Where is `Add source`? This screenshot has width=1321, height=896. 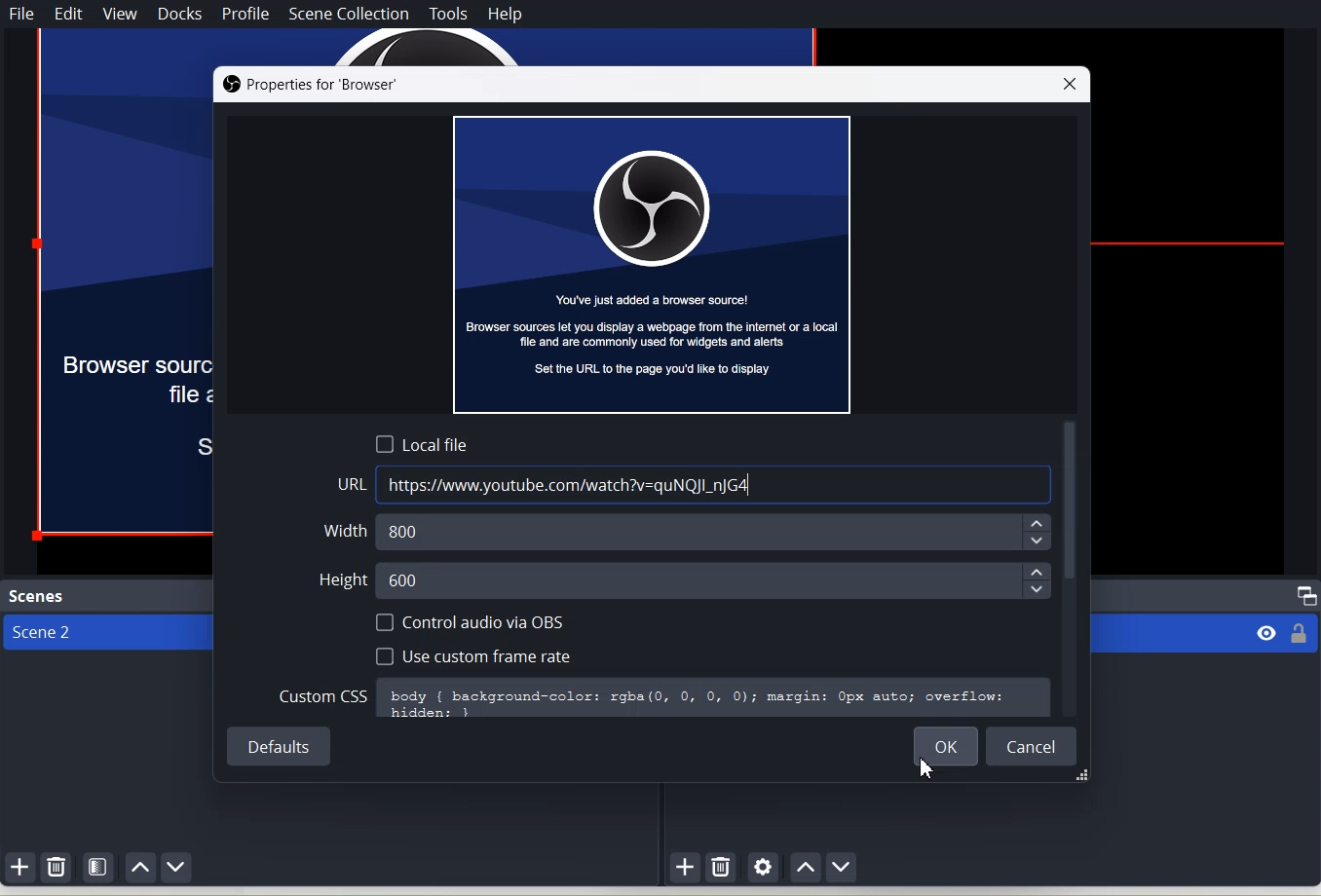
Add source is located at coordinates (686, 868).